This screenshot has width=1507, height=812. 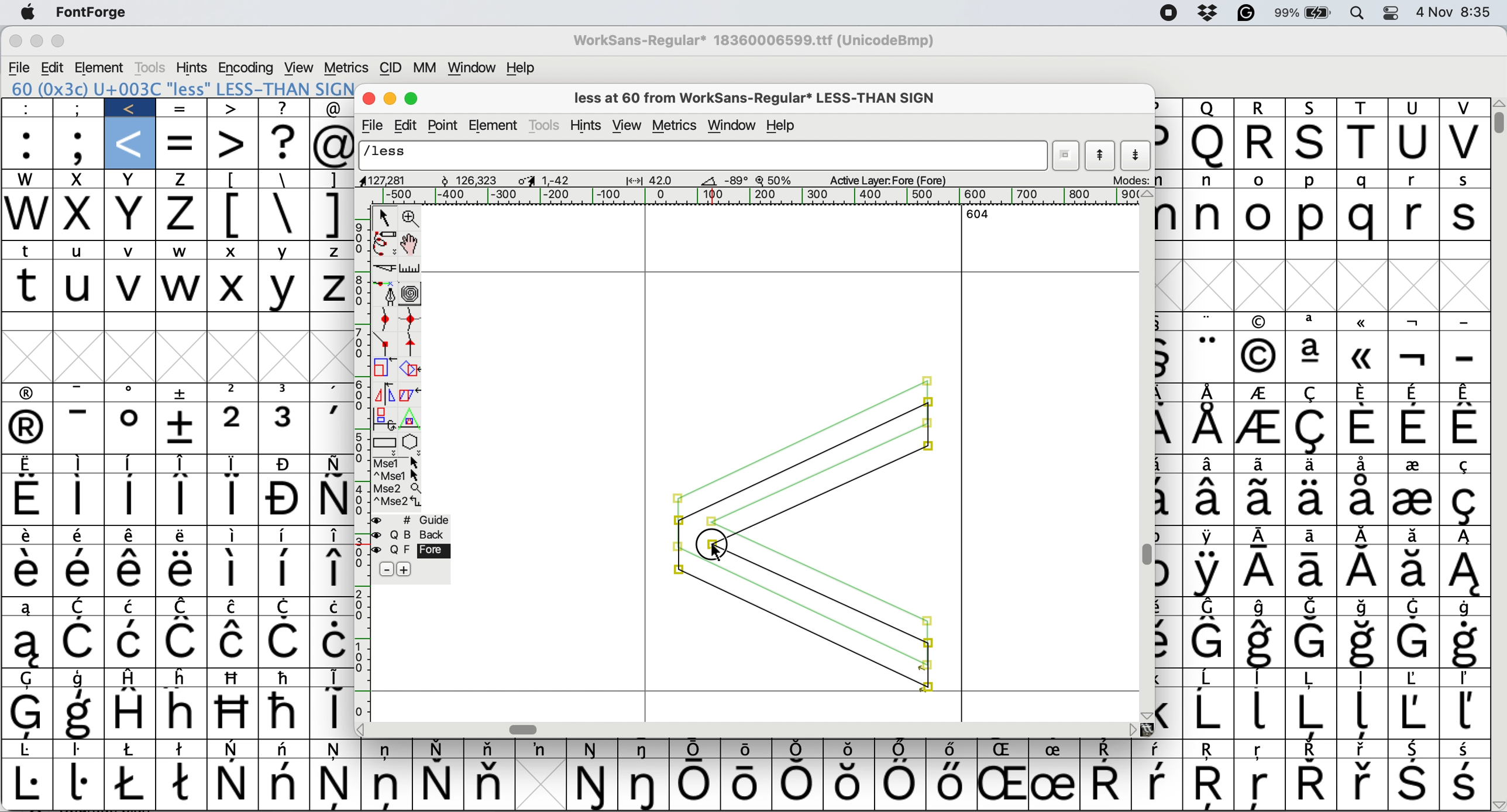 I want to click on Symbol, so click(x=1002, y=785).